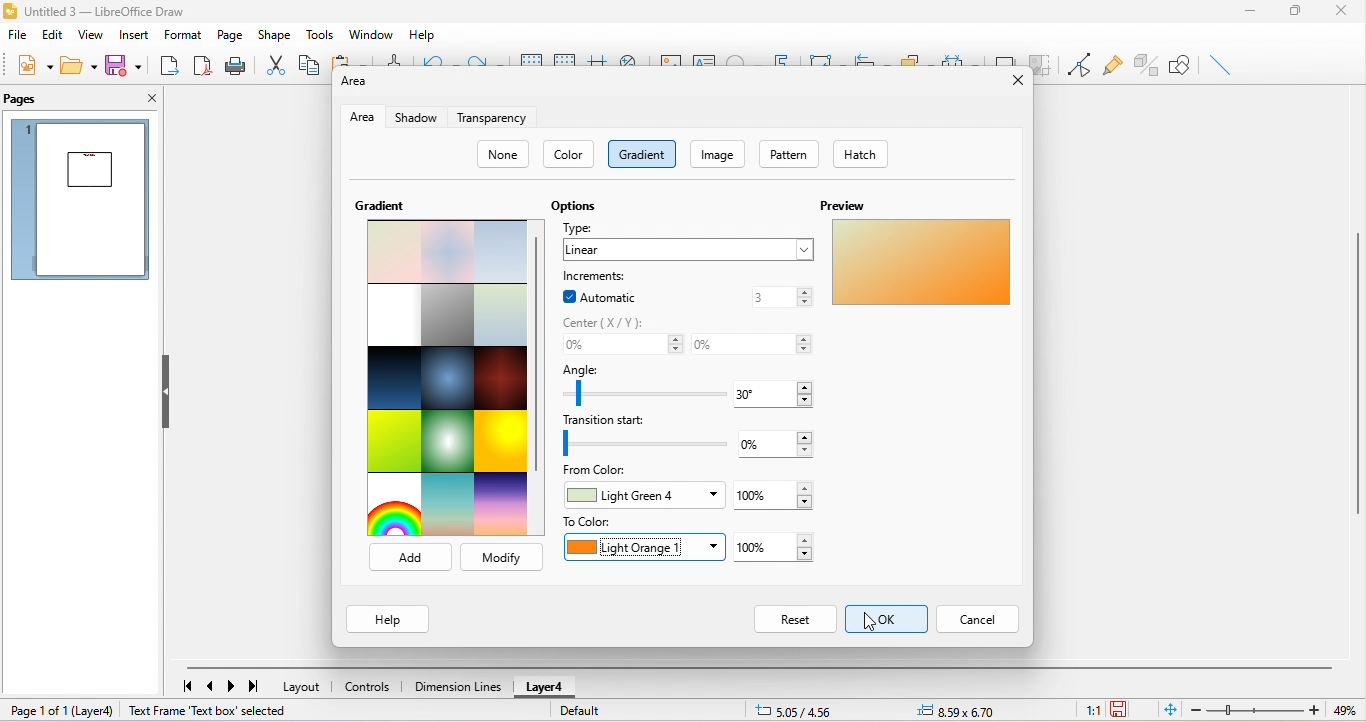 The image size is (1366, 722). Describe the element at coordinates (719, 153) in the screenshot. I see `image` at that location.